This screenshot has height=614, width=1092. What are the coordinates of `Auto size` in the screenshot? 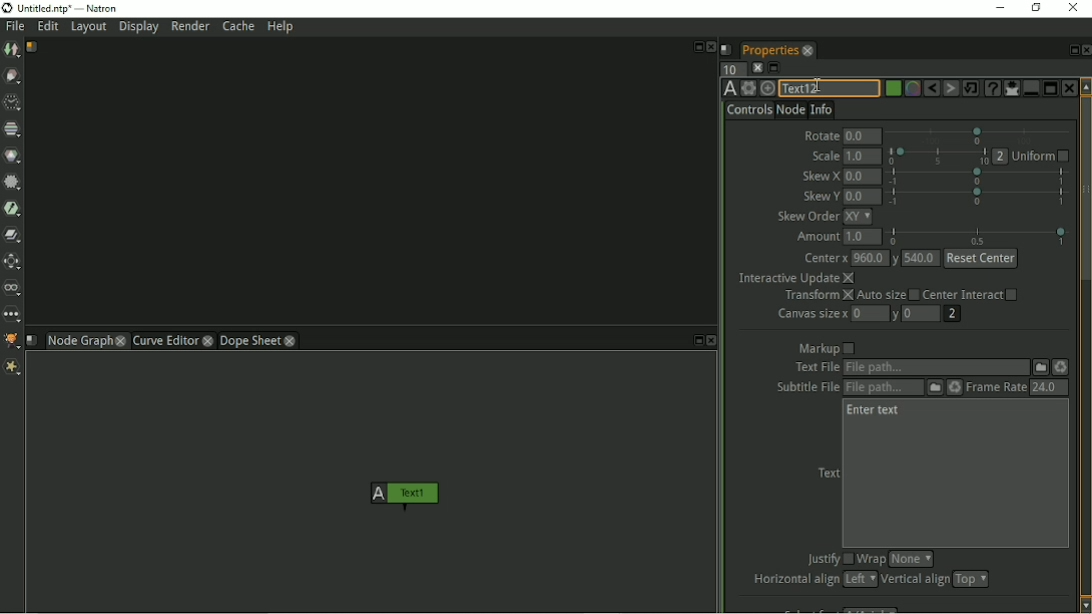 It's located at (887, 296).